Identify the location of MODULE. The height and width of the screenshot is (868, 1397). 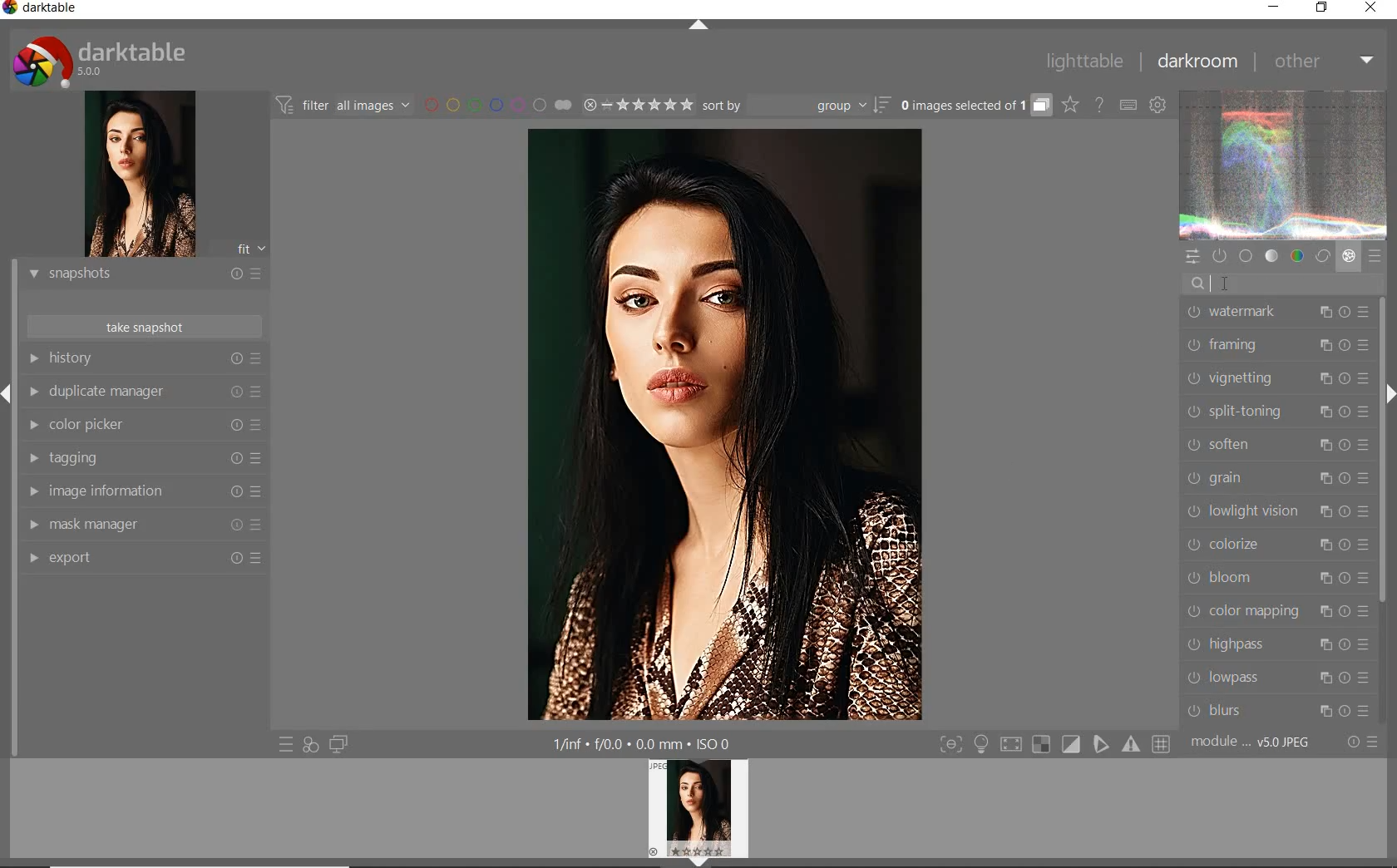
(1254, 746).